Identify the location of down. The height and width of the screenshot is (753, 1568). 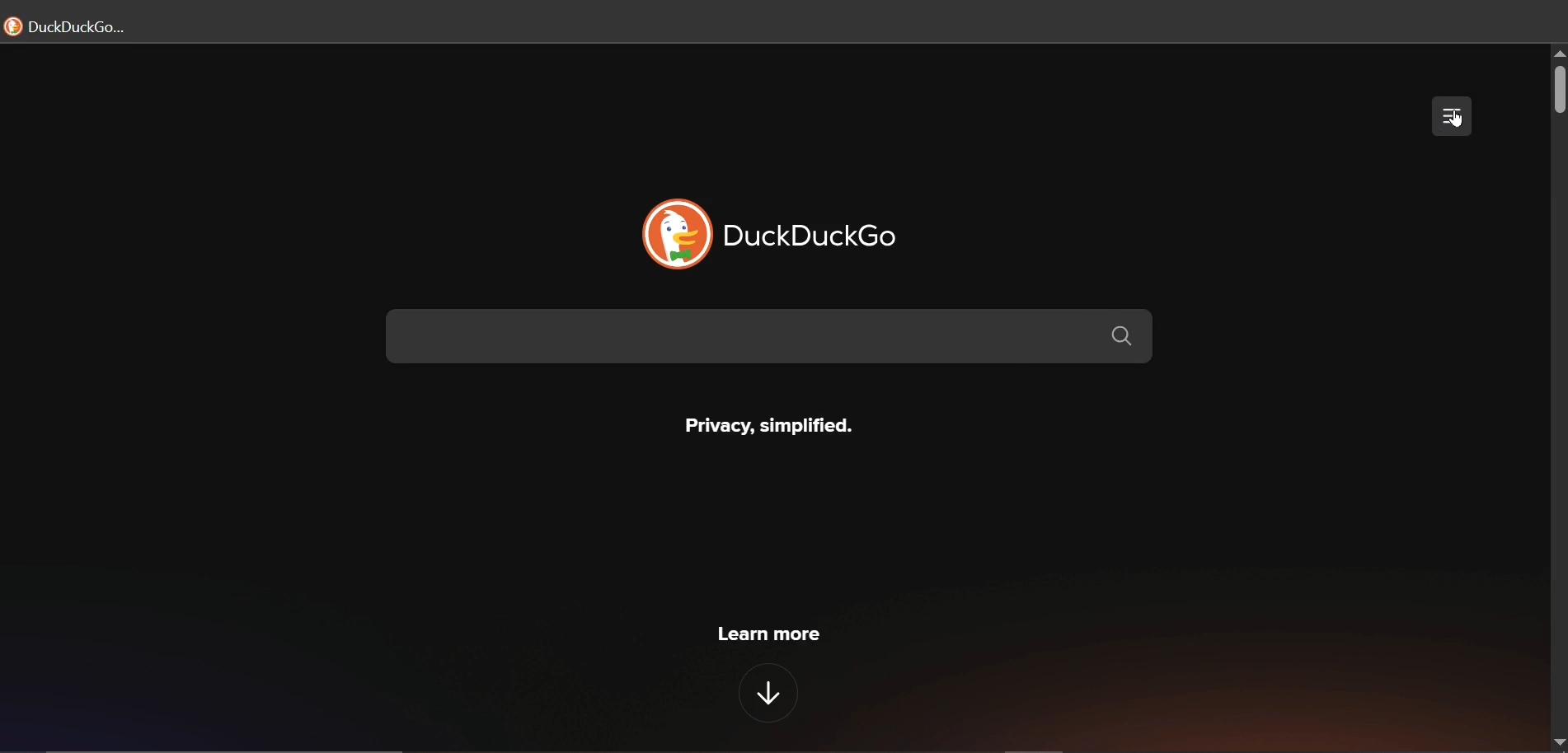
(763, 689).